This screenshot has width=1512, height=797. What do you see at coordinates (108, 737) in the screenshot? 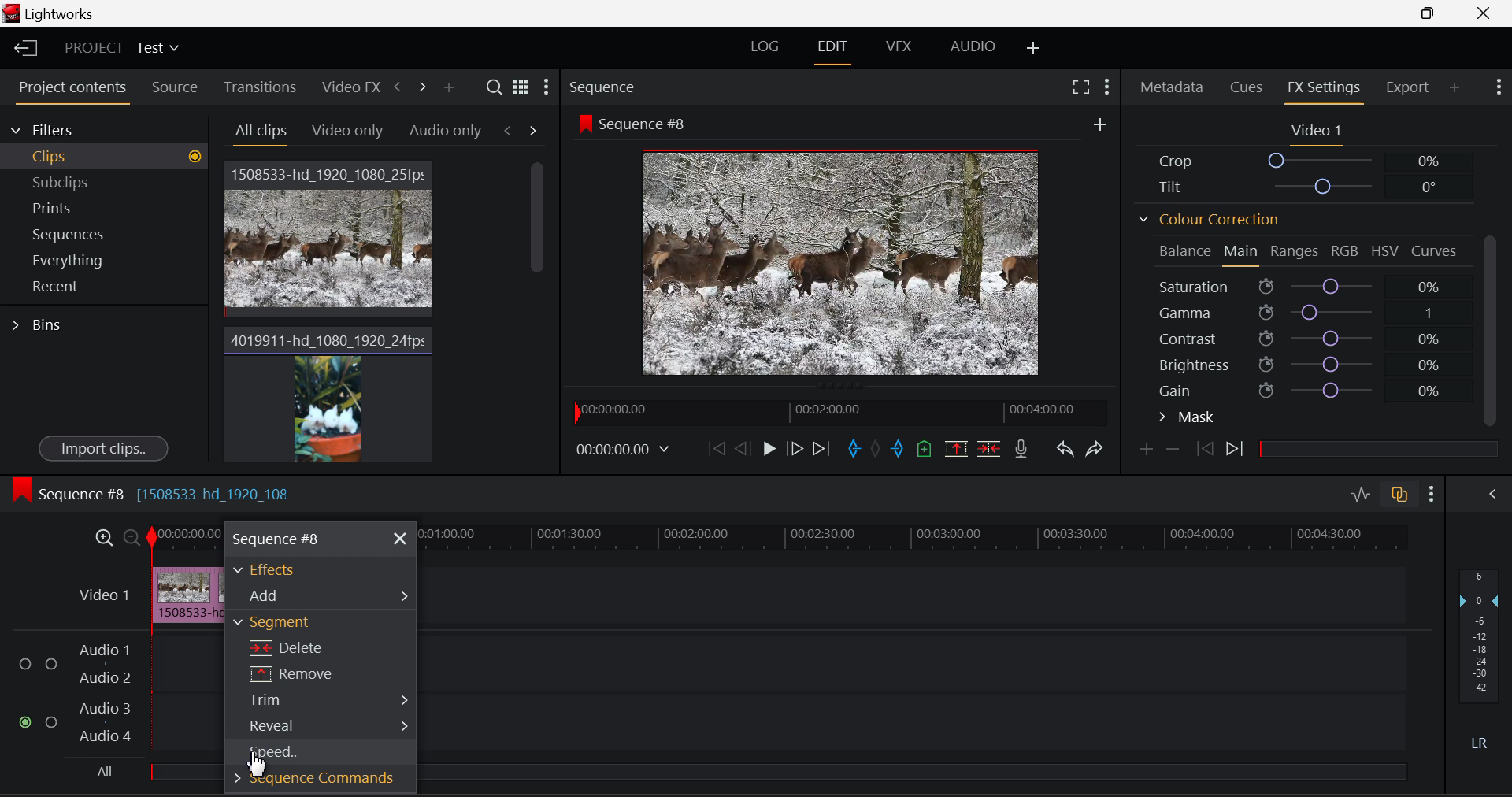
I see `Audio 4` at bounding box center [108, 737].